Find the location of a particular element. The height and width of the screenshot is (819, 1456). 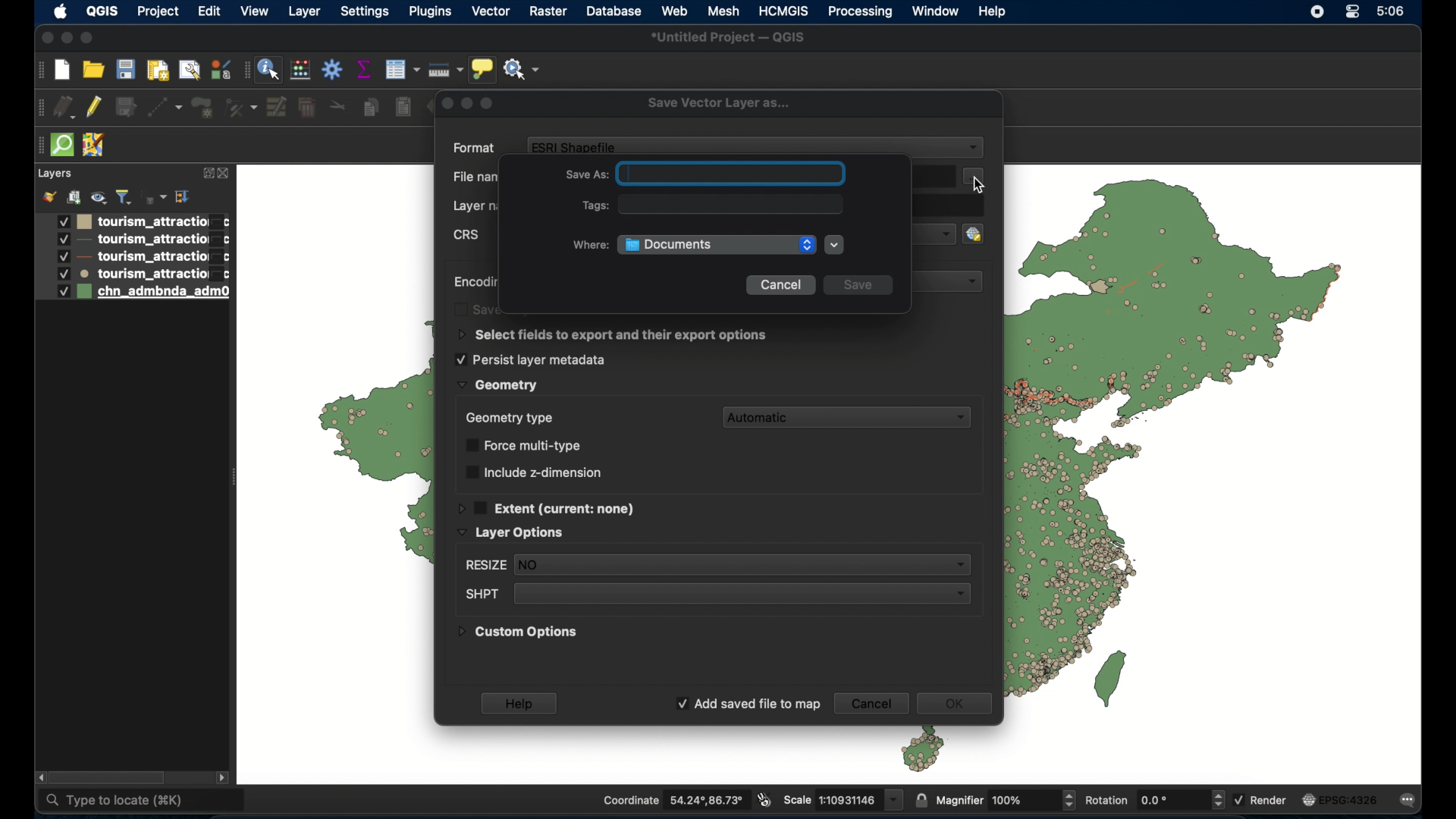

inactive buttons is located at coordinates (466, 102).